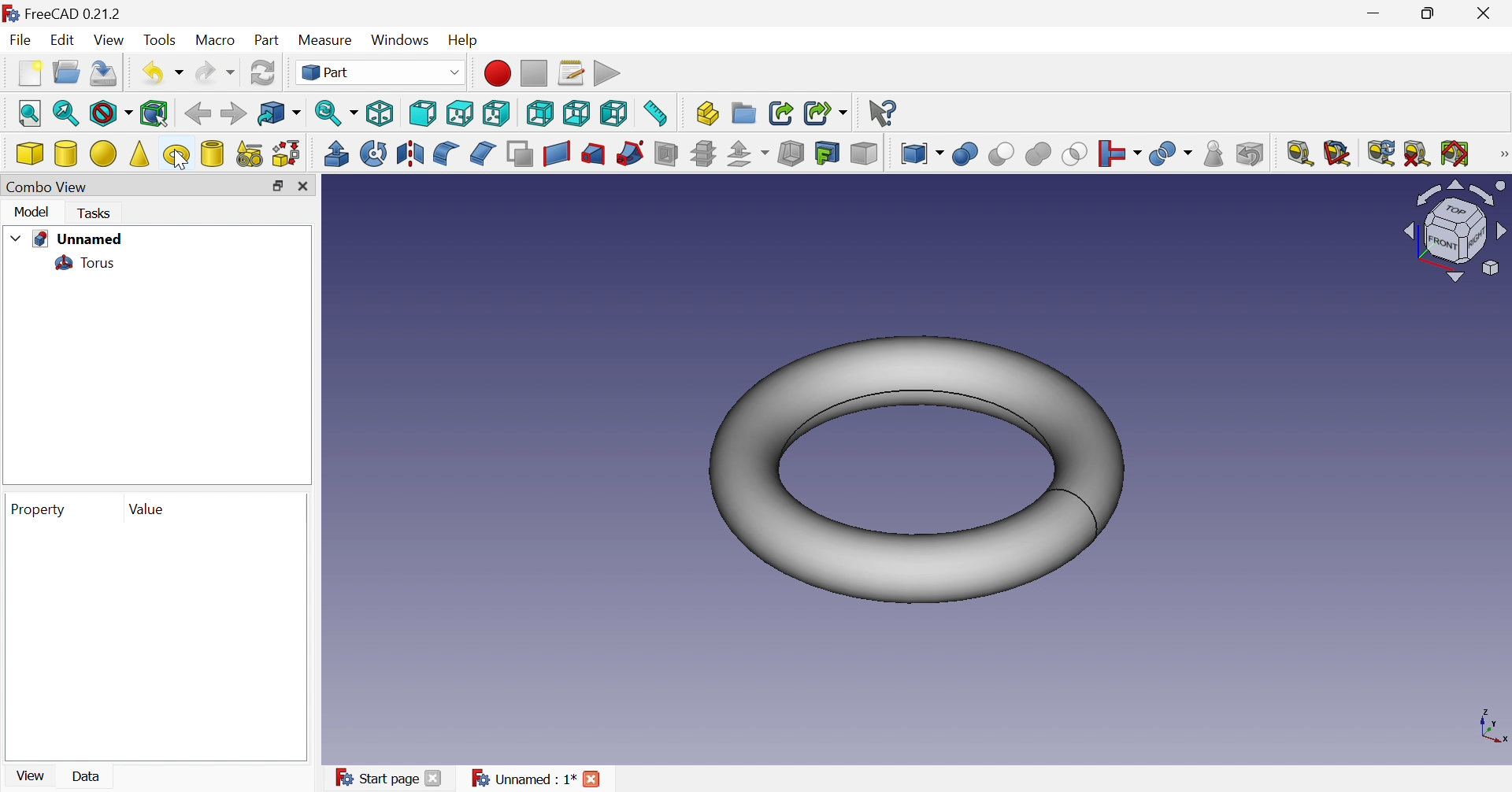 The height and width of the screenshot is (792, 1512). What do you see at coordinates (335, 154) in the screenshot?
I see `Extrude...` at bounding box center [335, 154].